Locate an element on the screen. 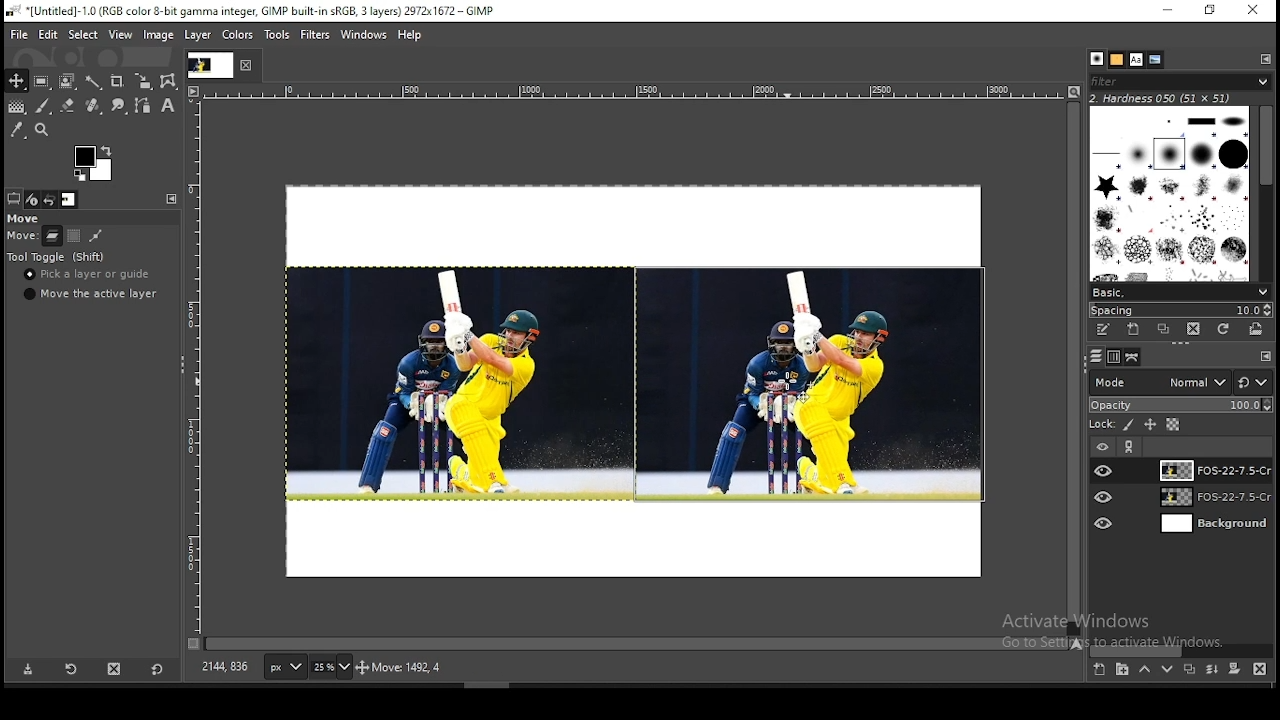 This screenshot has width=1280, height=720. opacity is located at coordinates (1180, 406).